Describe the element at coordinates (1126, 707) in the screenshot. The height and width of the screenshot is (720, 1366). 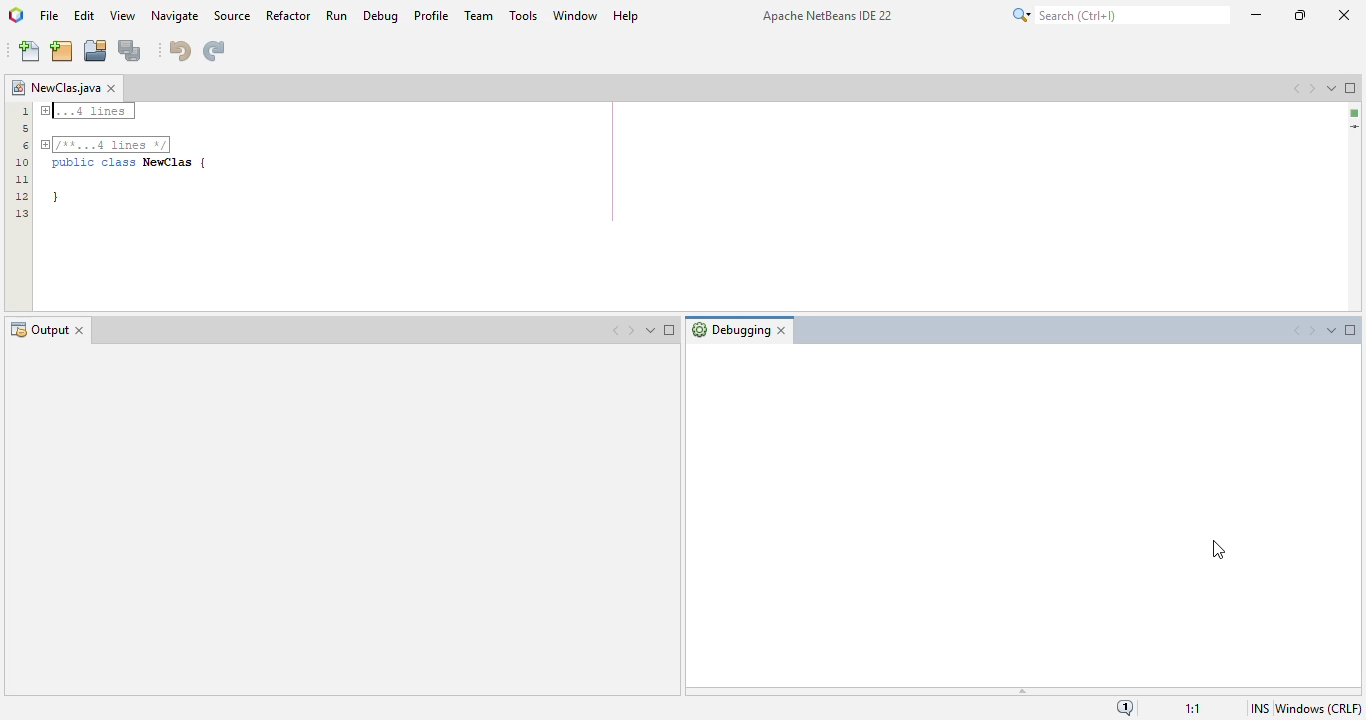
I see `notifications` at that location.